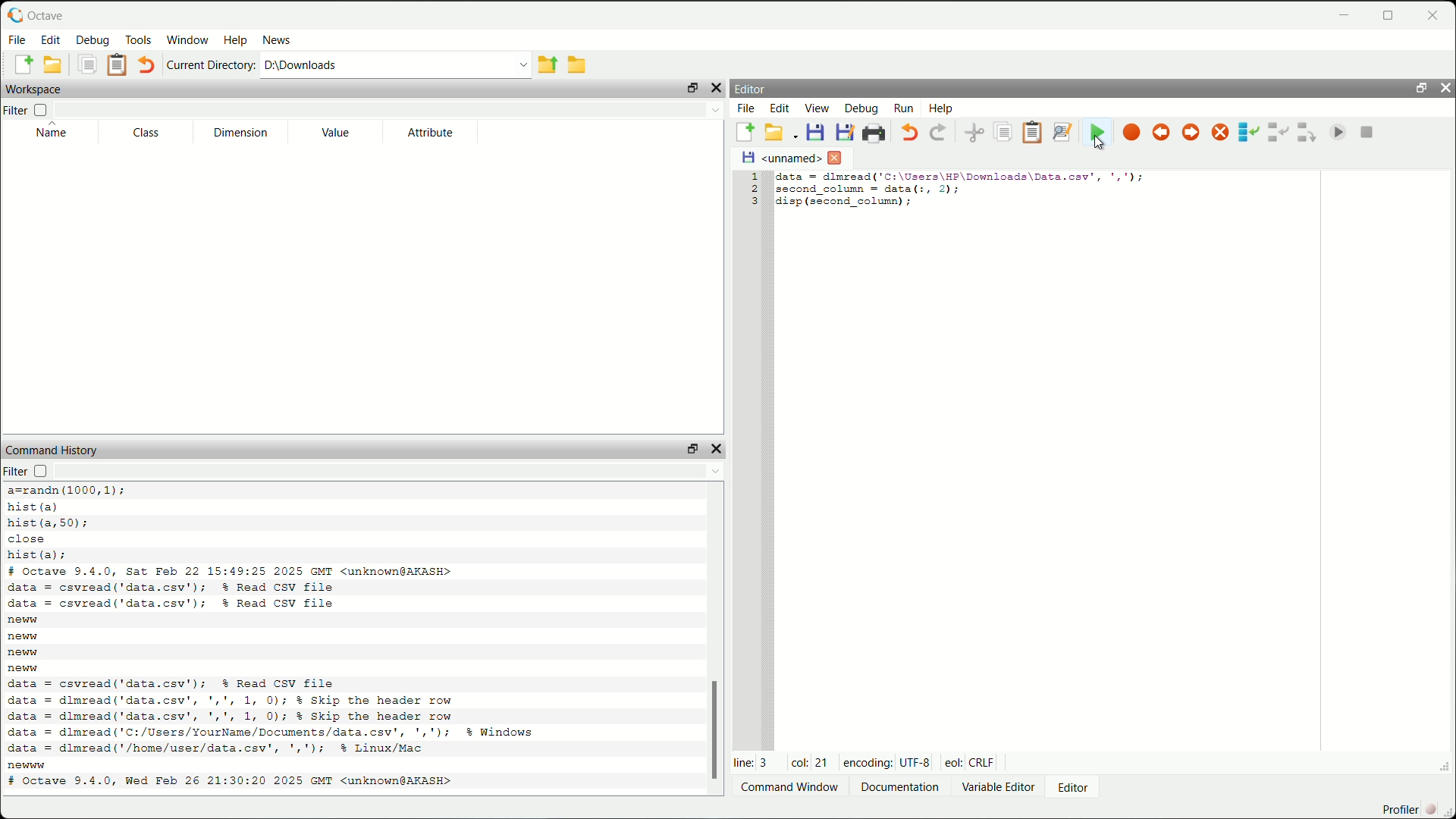 The image size is (1456, 819). I want to click on news, so click(279, 39).